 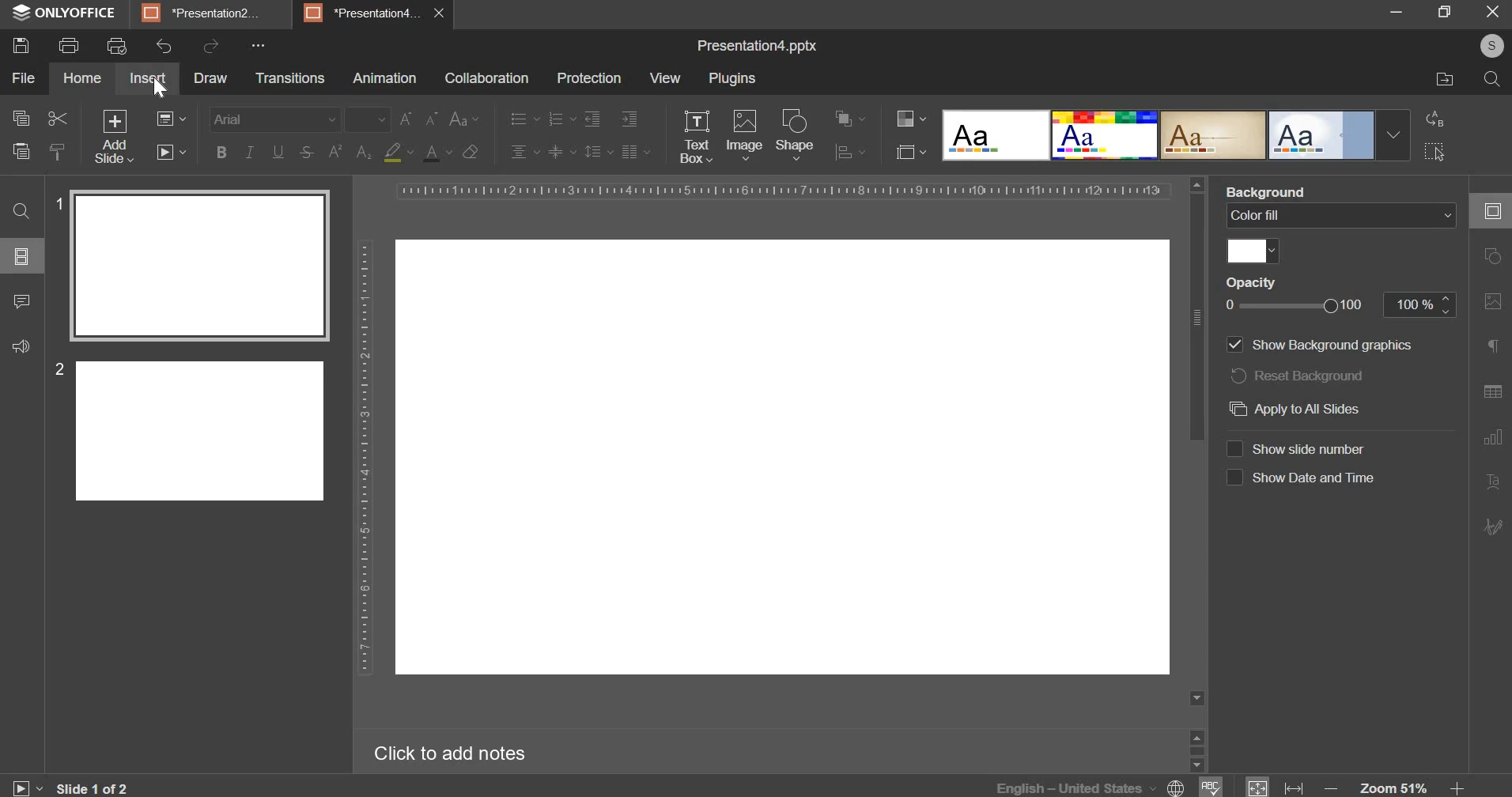 I want to click on Presentation4.pptx, so click(x=756, y=43).